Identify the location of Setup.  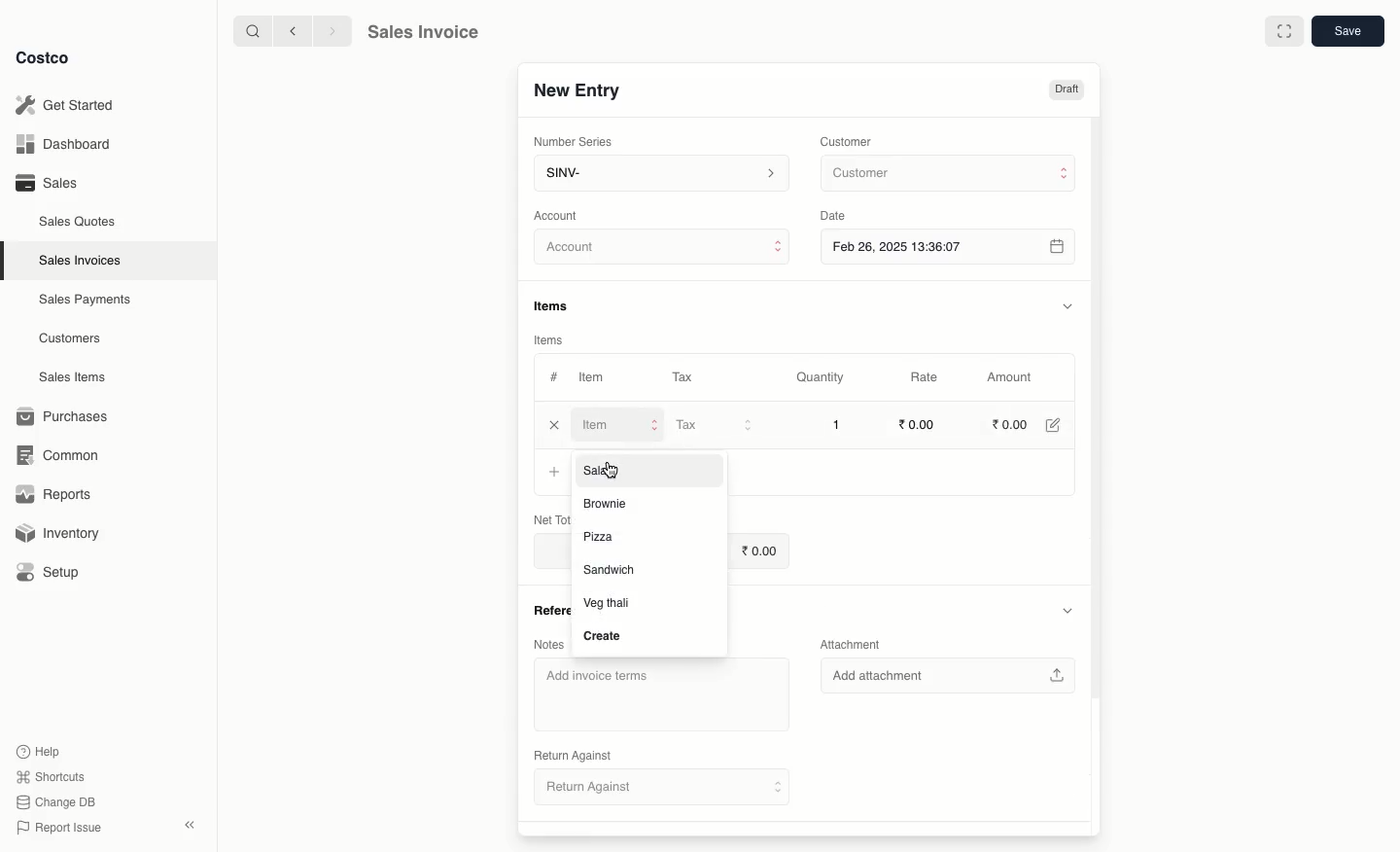
(55, 572).